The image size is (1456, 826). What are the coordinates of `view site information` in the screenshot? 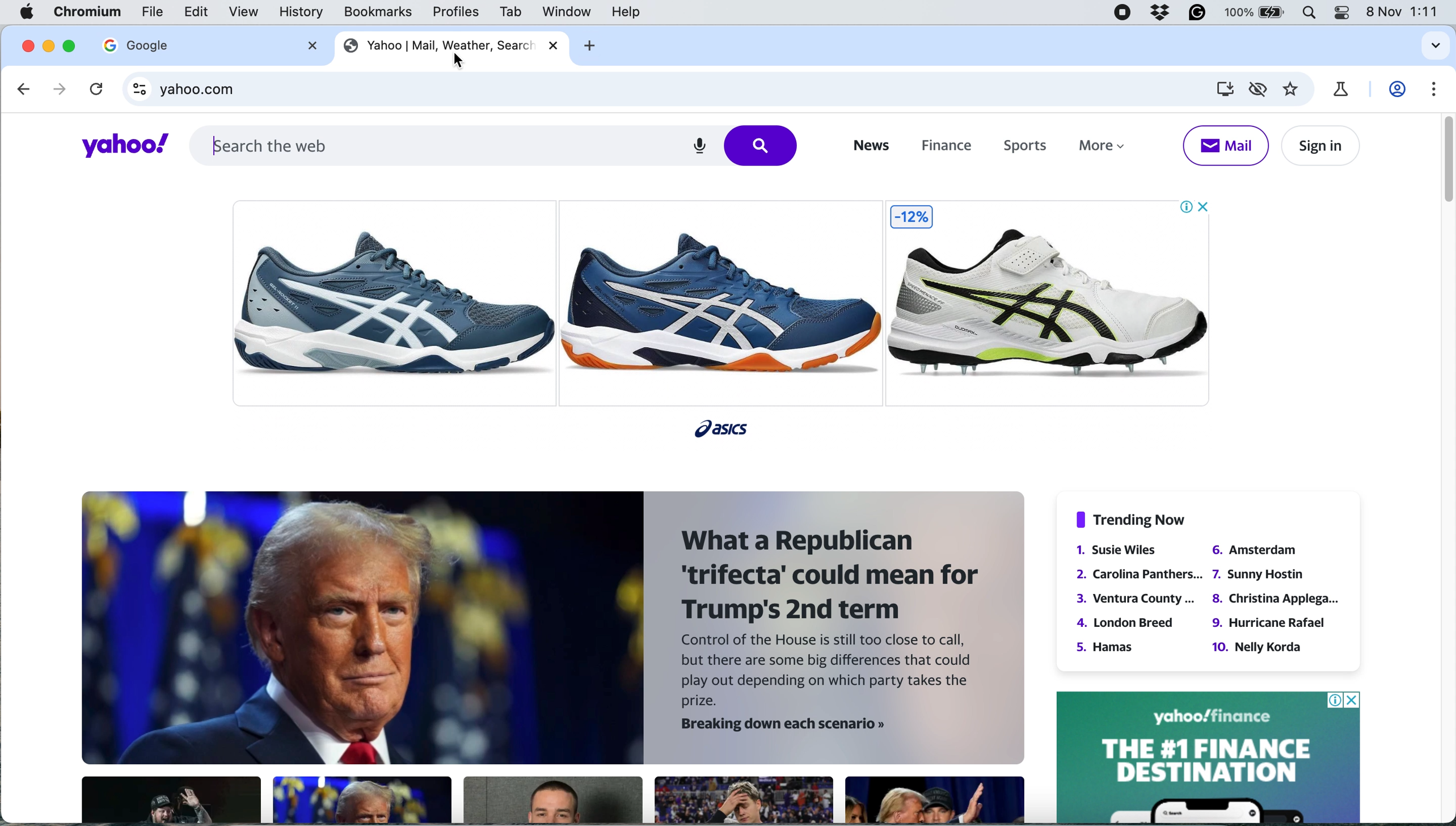 It's located at (141, 92).